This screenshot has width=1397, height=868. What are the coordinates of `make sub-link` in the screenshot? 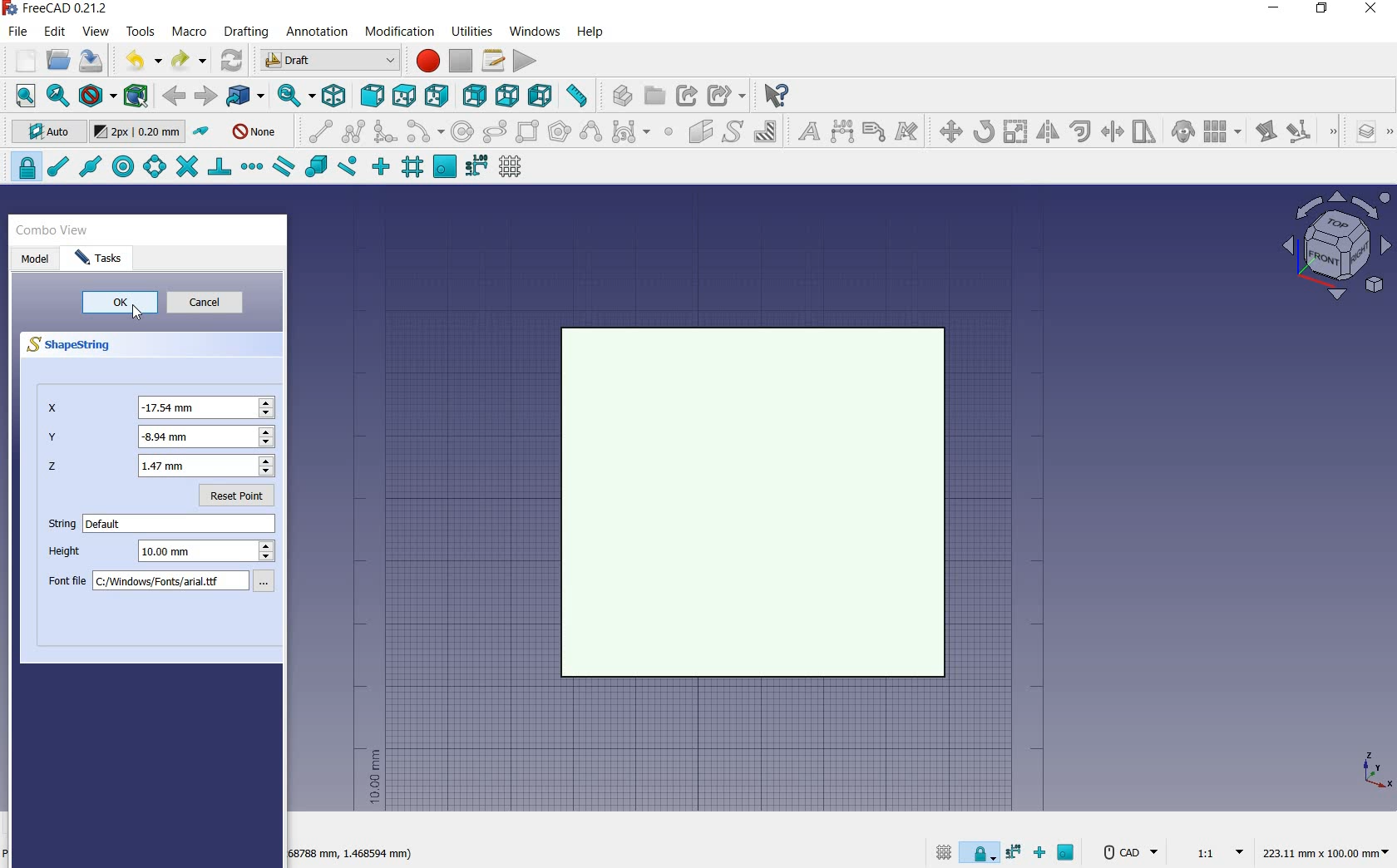 It's located at (724, 96).